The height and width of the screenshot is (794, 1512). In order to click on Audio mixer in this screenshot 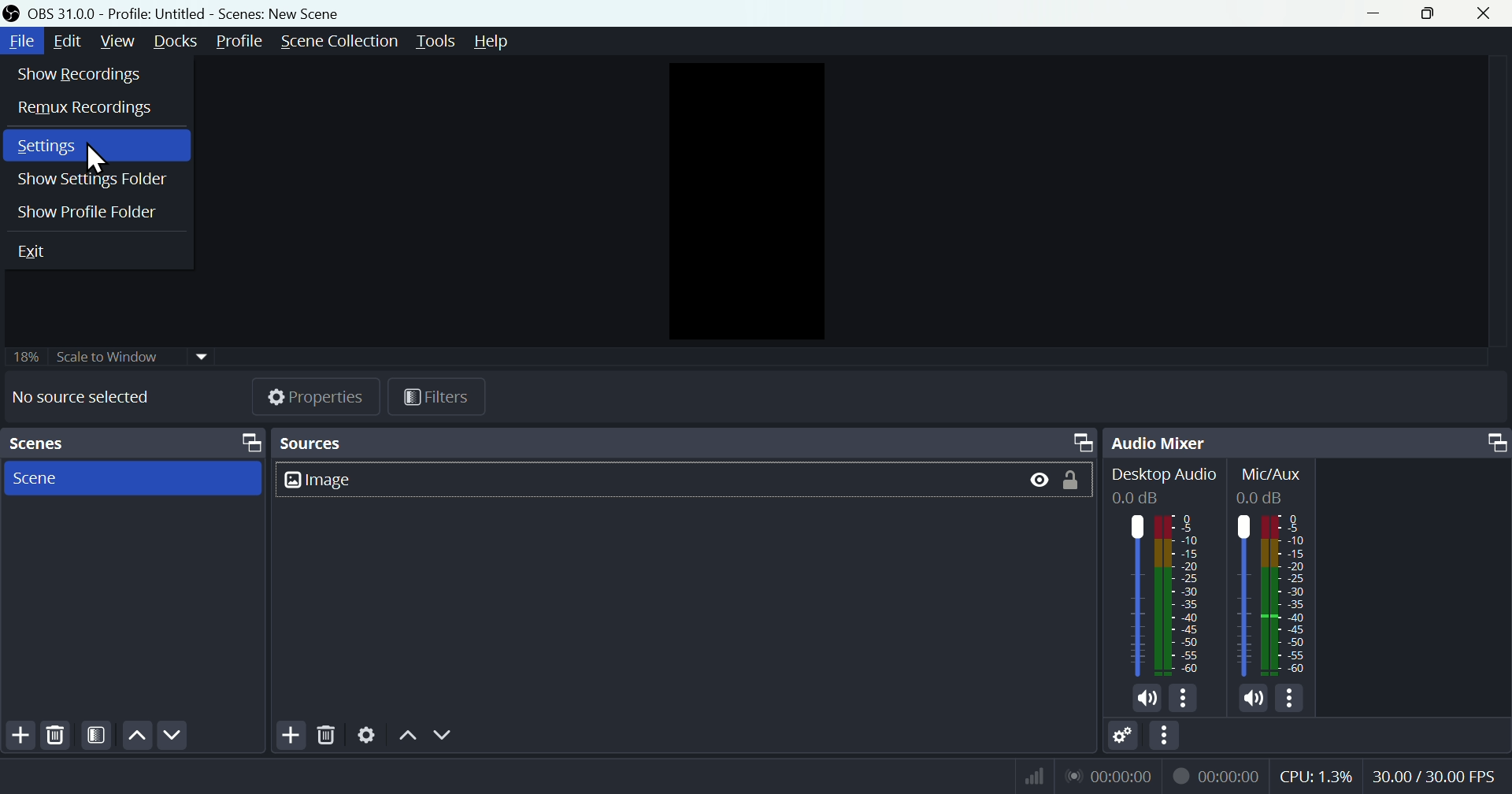, I will do `click(1310, 439)`.